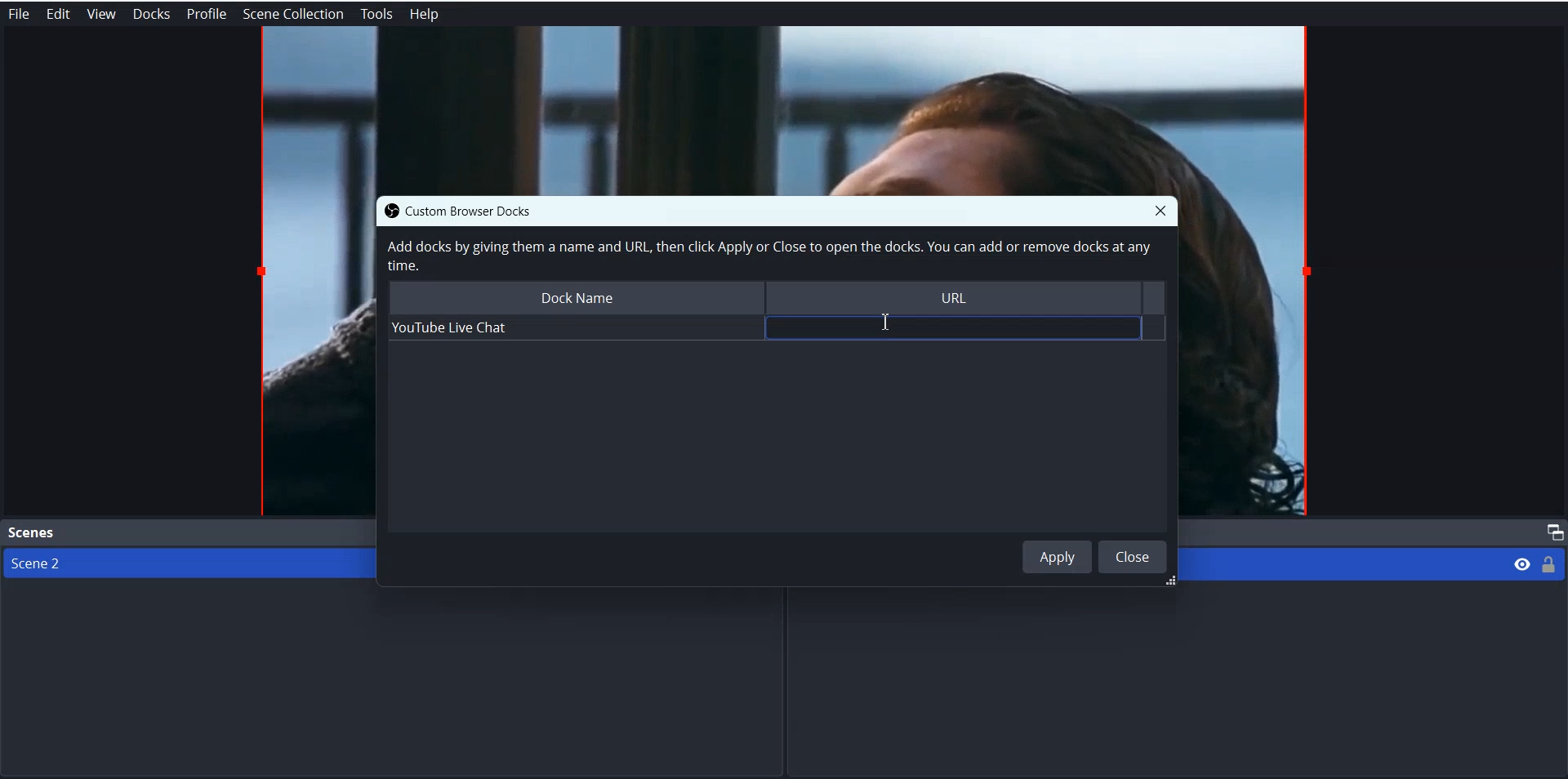 The width and height of the screenshot is (1568, 779). I want to click on Close, so click(1160, 210).